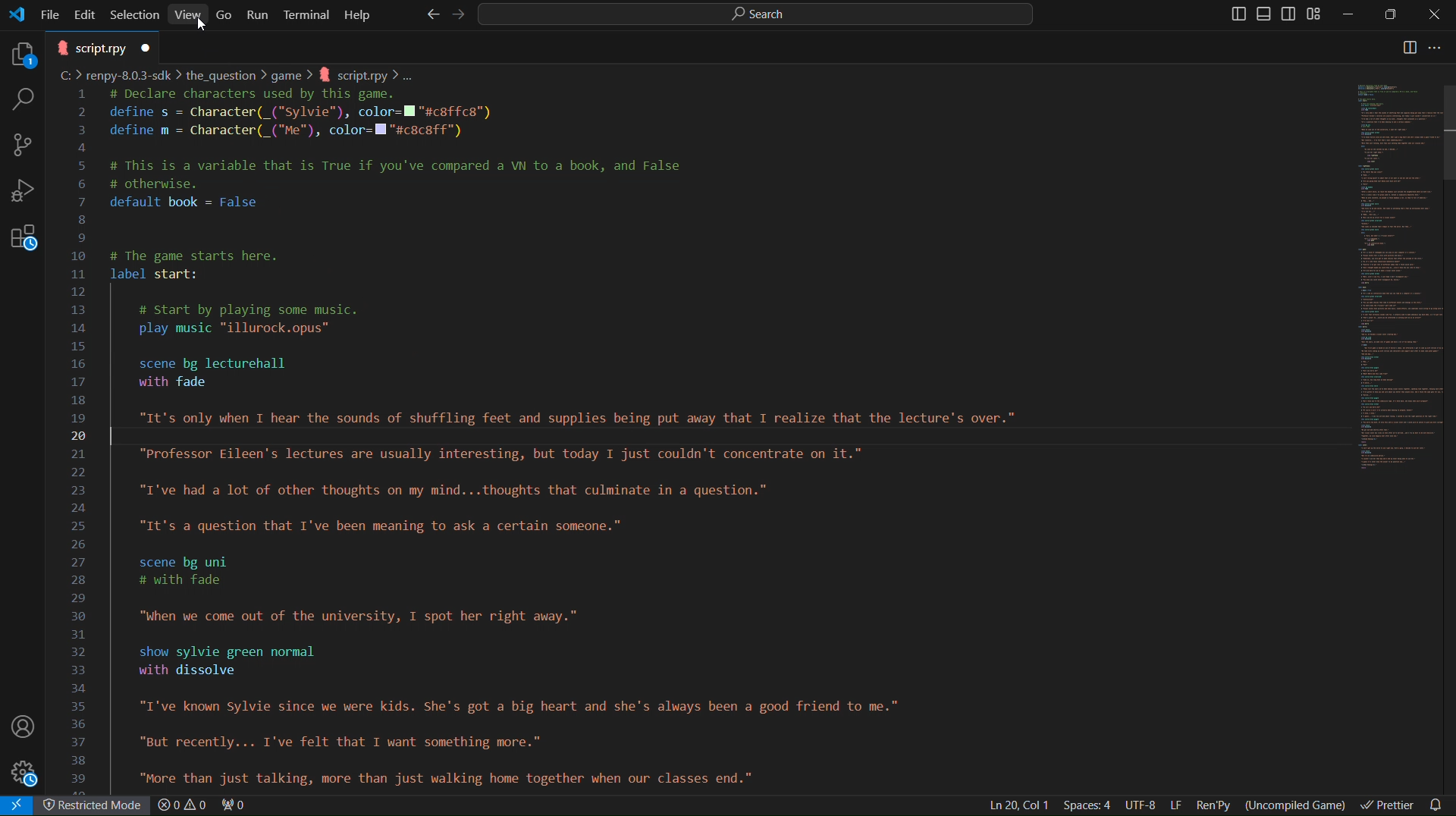 The height and width of the screenshot is (816, 1456). What do you see at coordinates (1016, 805) in the screenshot?
I see `Ln 20, col 1` at bounding box center [1016, 805].